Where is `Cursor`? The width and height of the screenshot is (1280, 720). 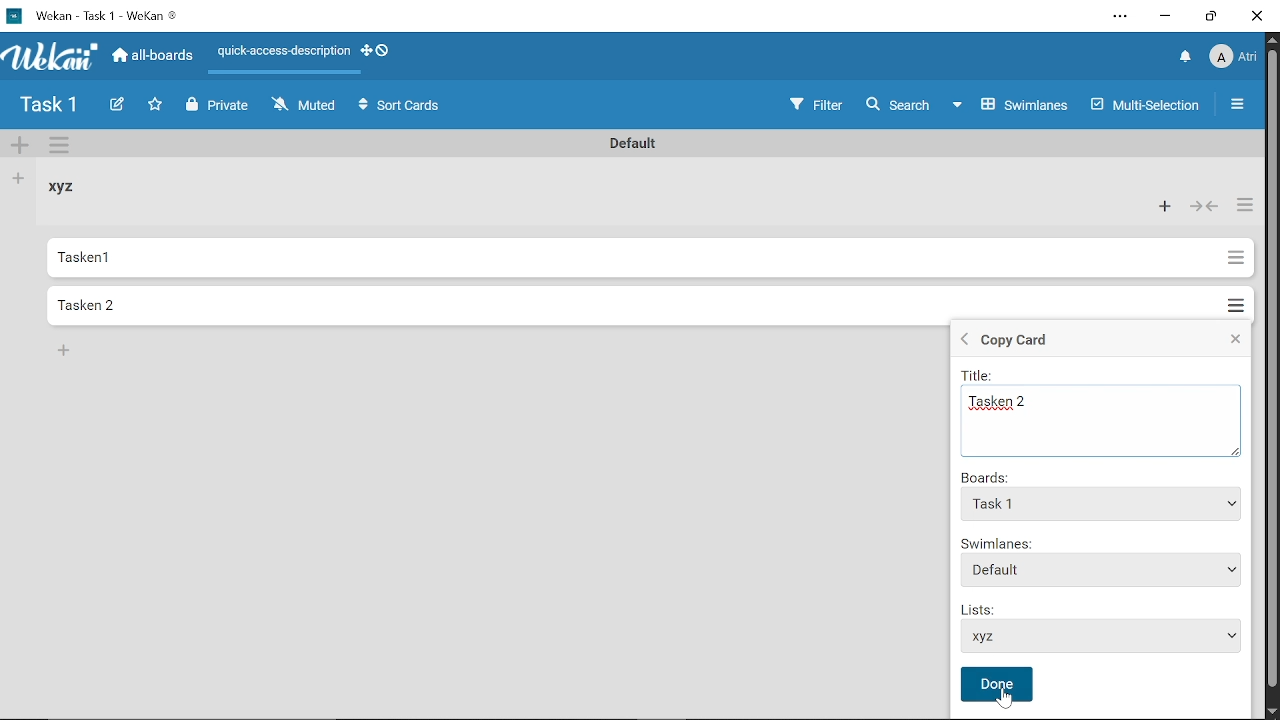
Cursor is located at coordinates (1005, 700).